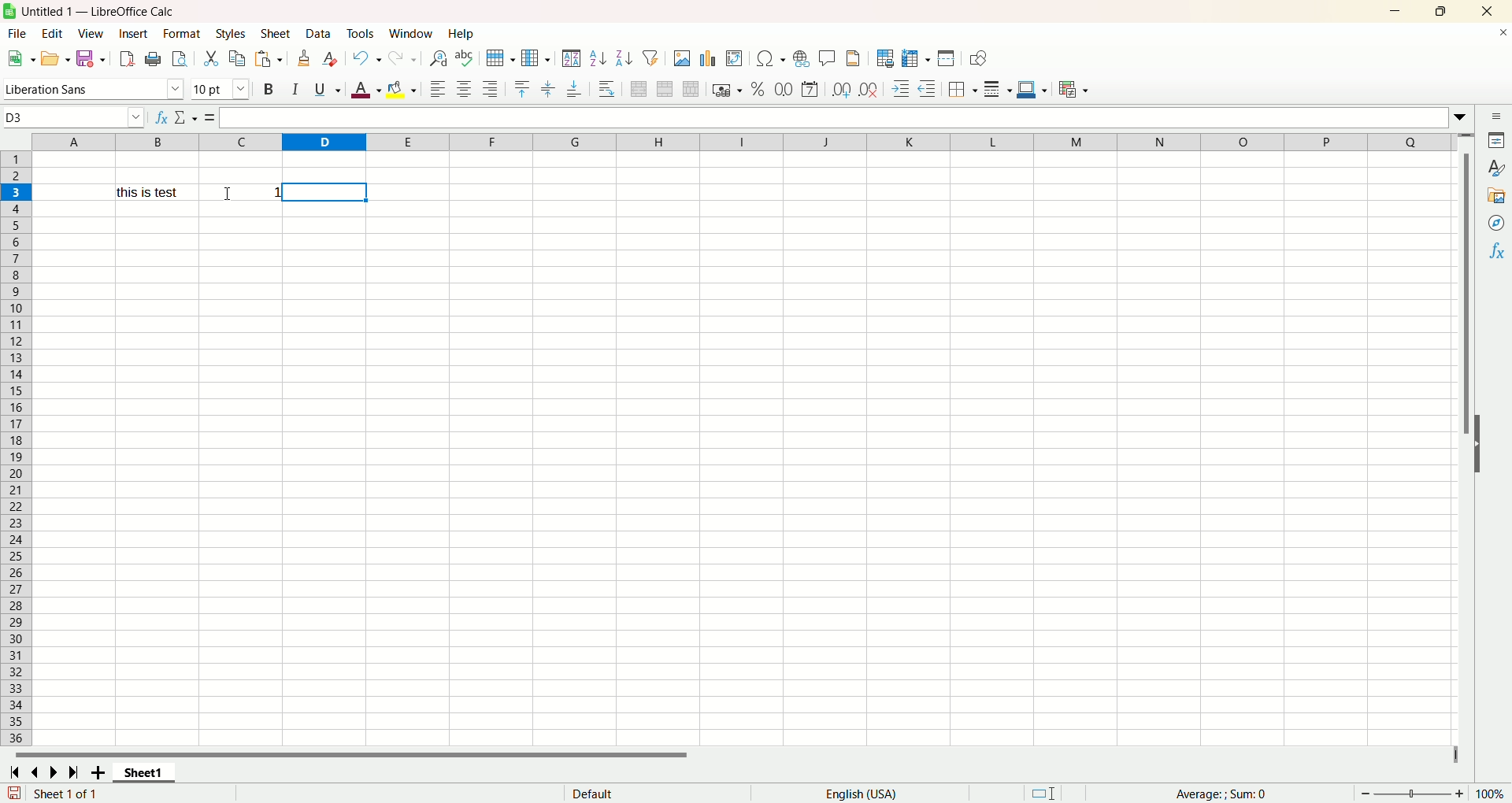 The image size is (1512, 803). Describe the element at coordinates (769, 58) in the screenshot. I see `insert symbol` at that location.